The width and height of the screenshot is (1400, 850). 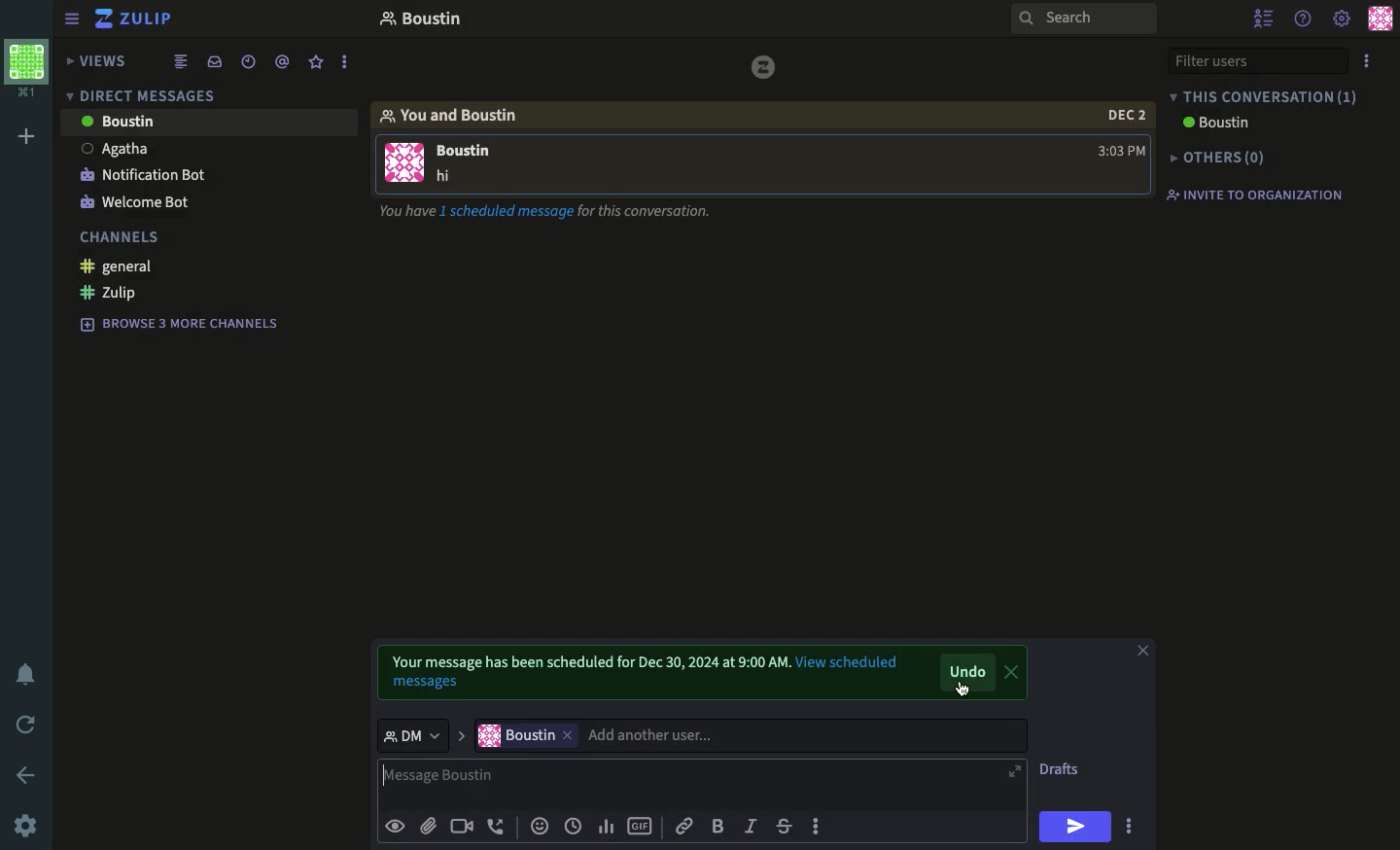 I want to click on boustin, so click(x=433, y=16).